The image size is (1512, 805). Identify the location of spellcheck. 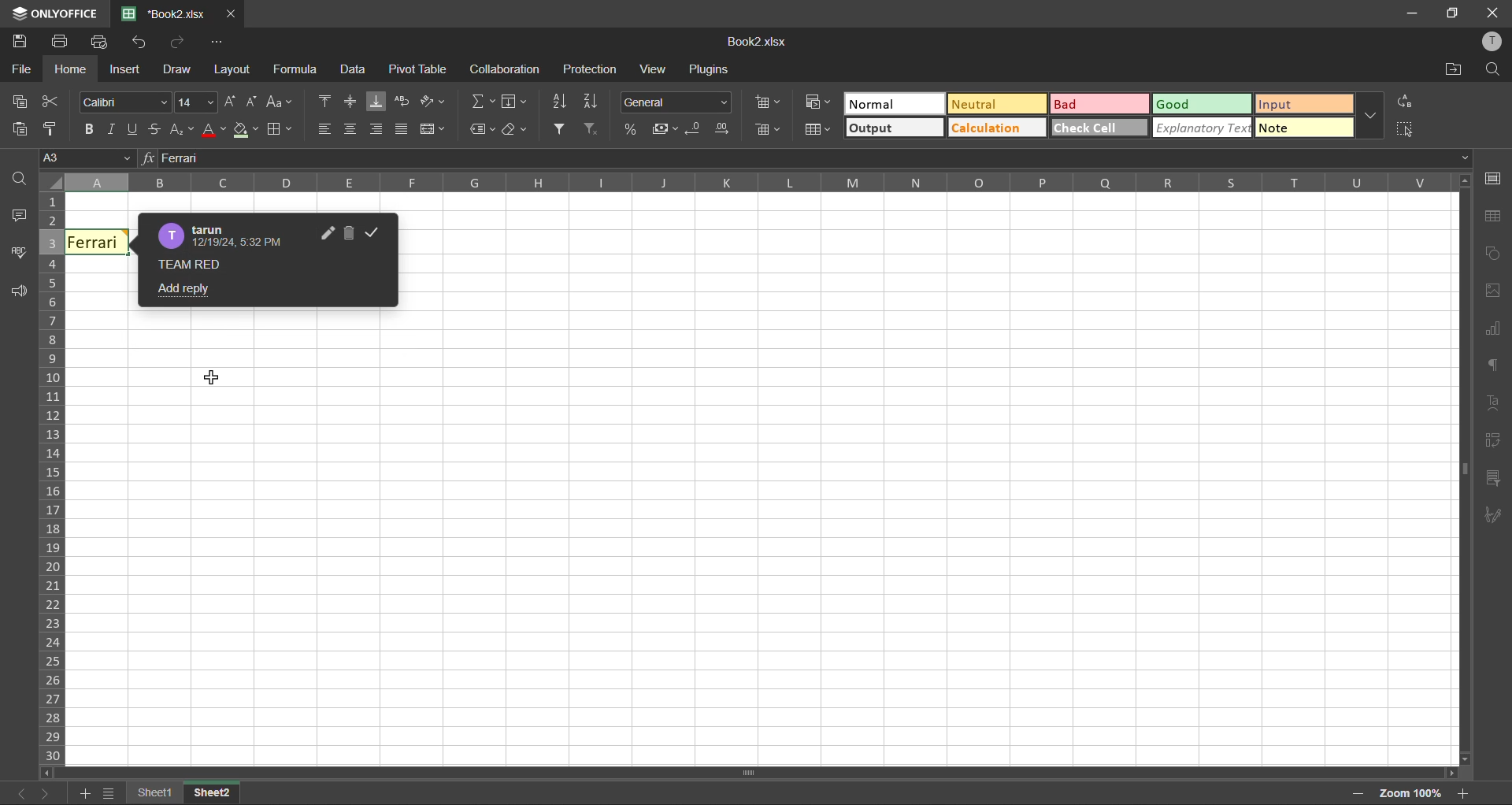
(20, 255).